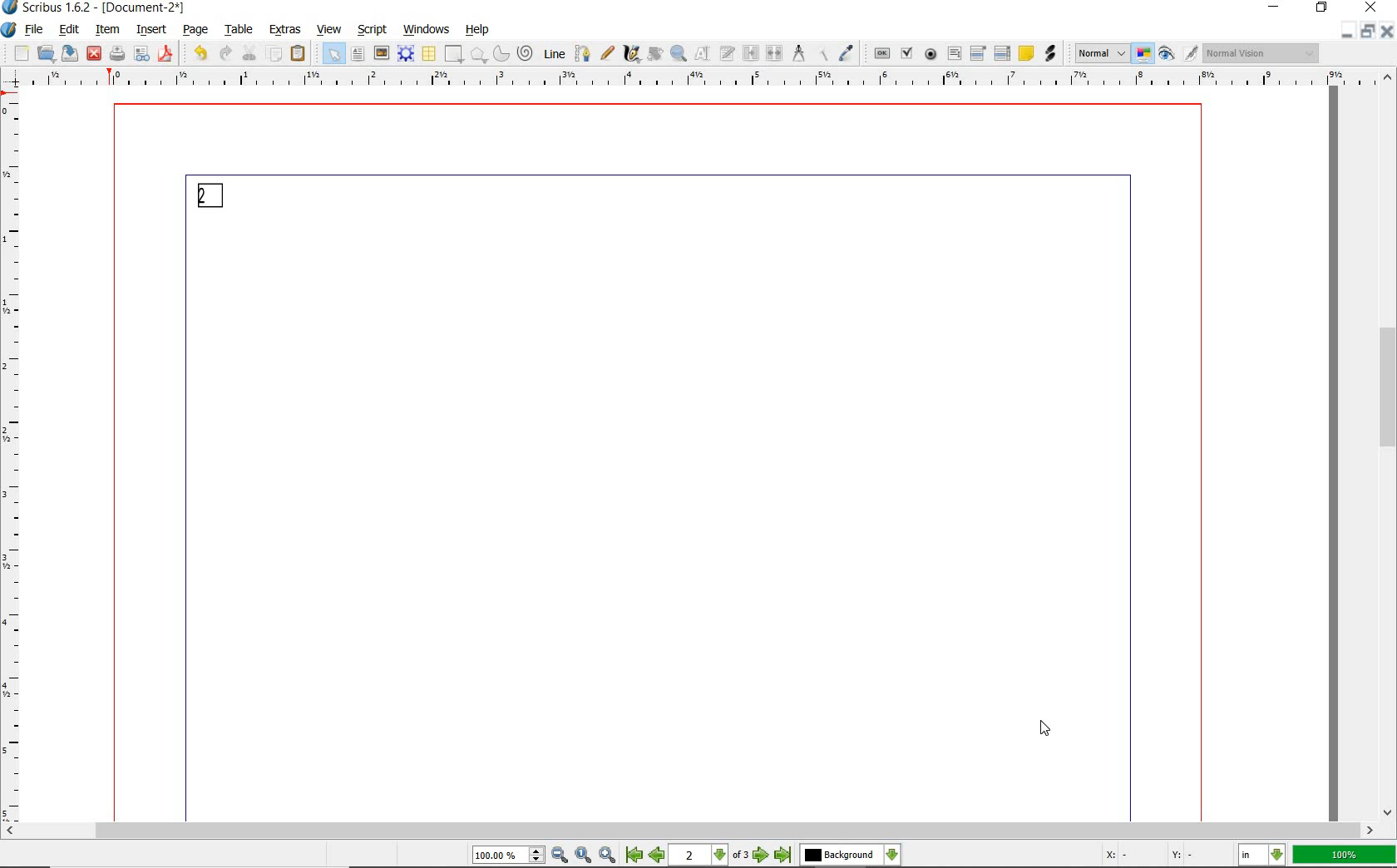 The width and height of the screenshot is (1397, 868). Describe the element at coordinates (298, 56) in the screenshot. I see `paste` at that location.